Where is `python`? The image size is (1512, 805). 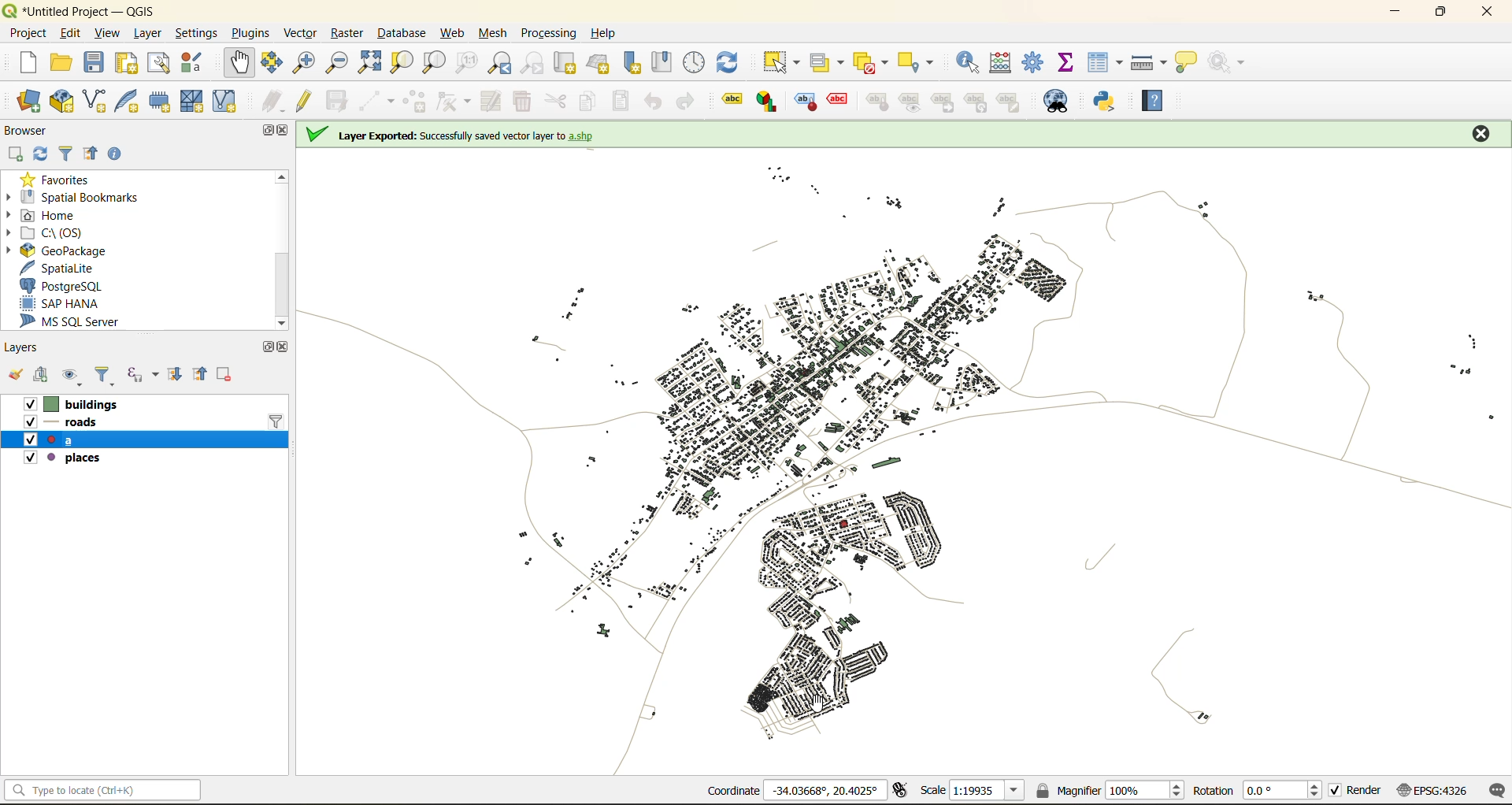 python is located at coordinates (1110, 103).